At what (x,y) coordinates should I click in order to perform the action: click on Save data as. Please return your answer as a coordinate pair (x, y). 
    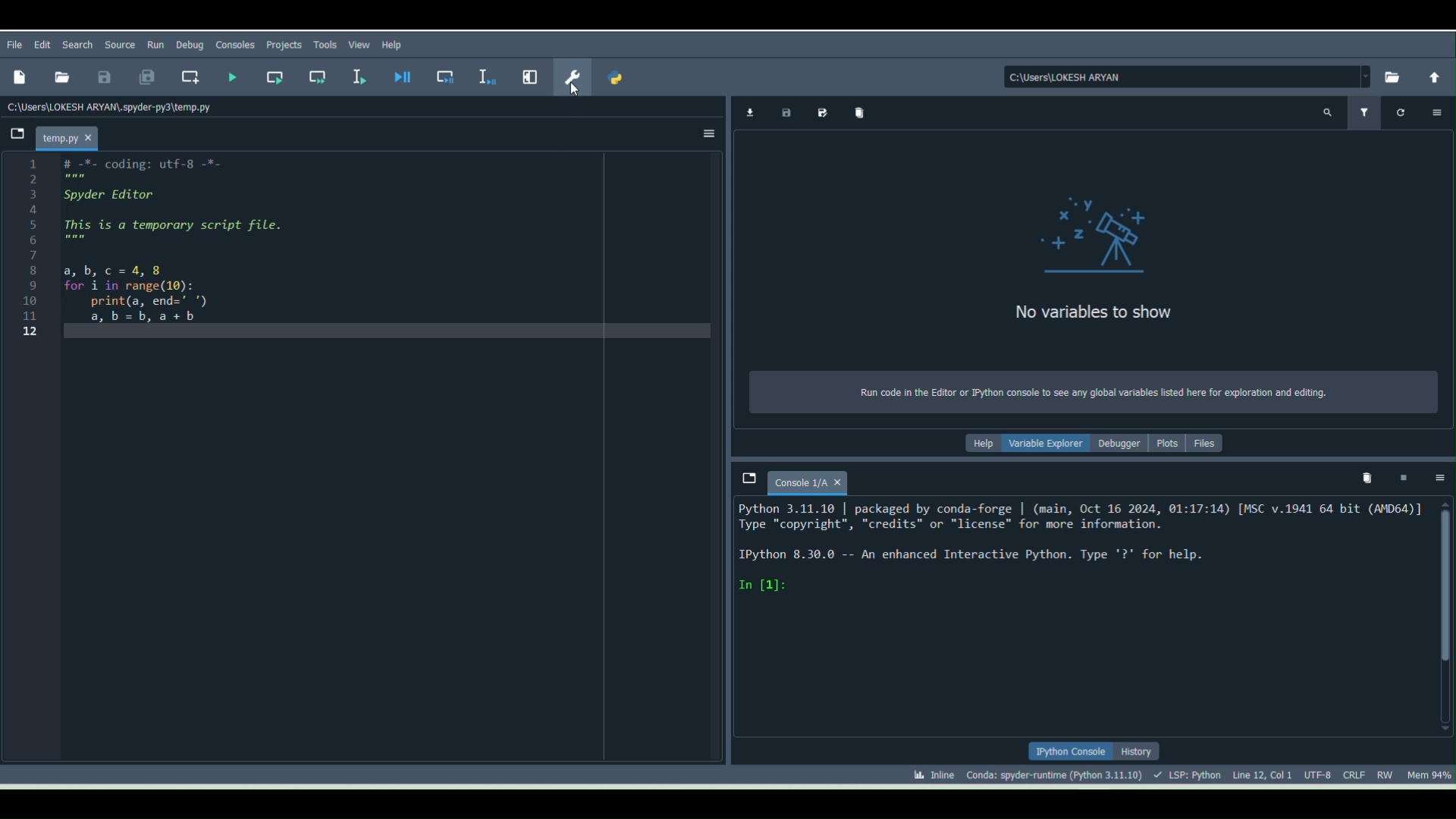
    Looking at the image, I should click on (822, 111).